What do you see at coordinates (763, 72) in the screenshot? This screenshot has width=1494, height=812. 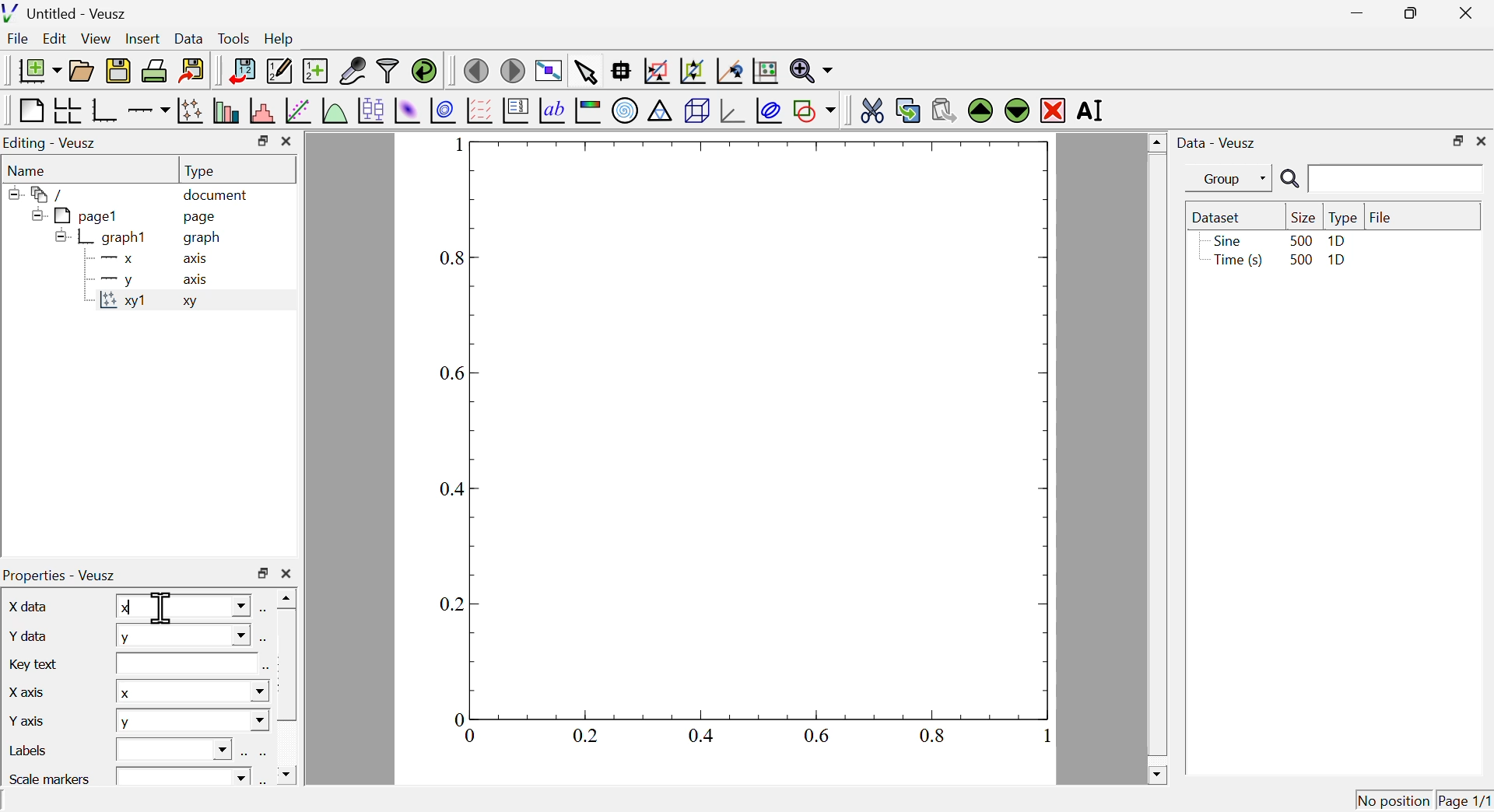 I see `rest graph axes` at bounding box center [763, 72].